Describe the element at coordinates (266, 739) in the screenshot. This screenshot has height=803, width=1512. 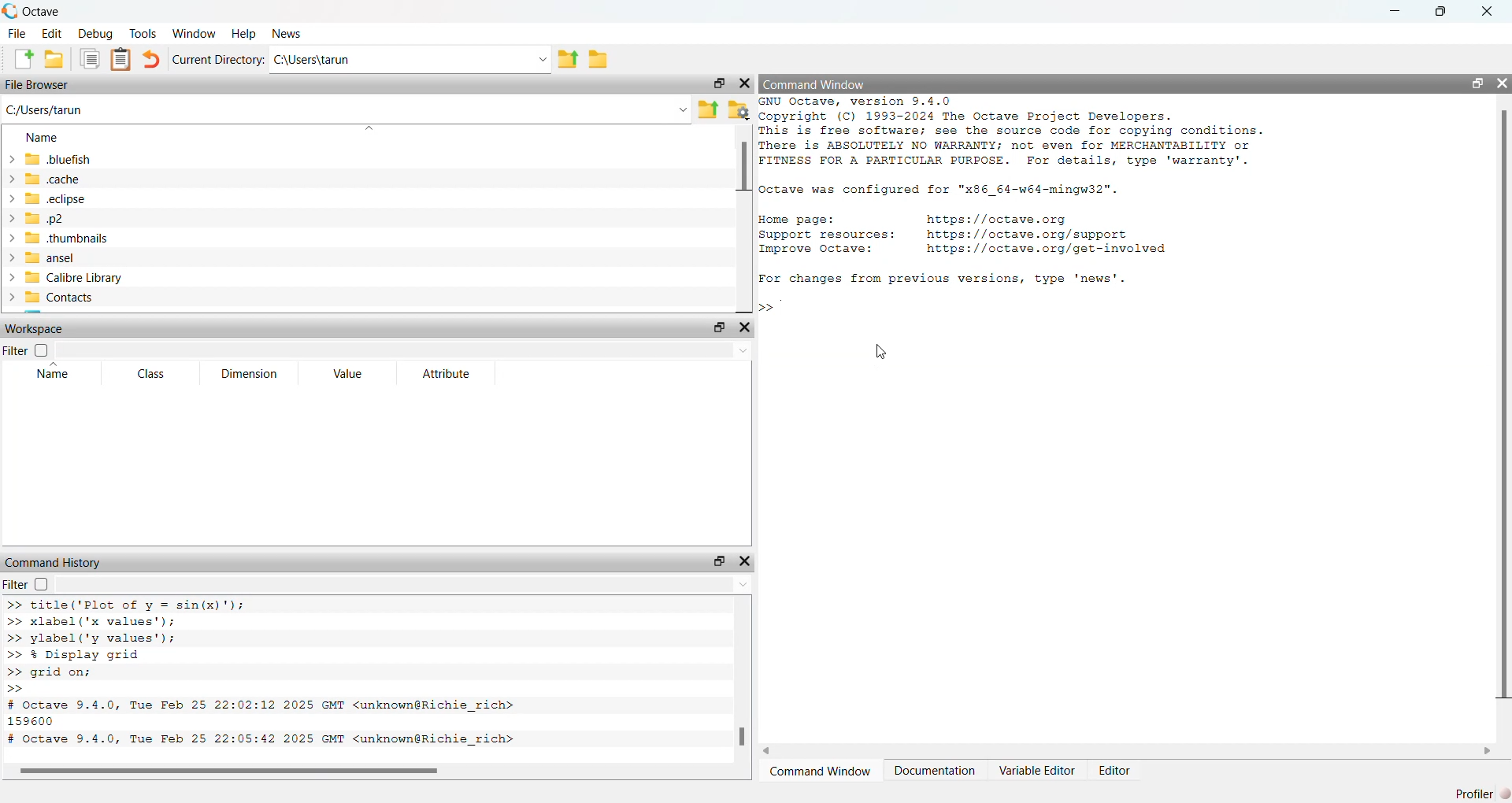
I see `# Octave 9.4.0, Tue Feb 25 22:05:42 2025 GMT <unknown@Richie rich>` at that location.